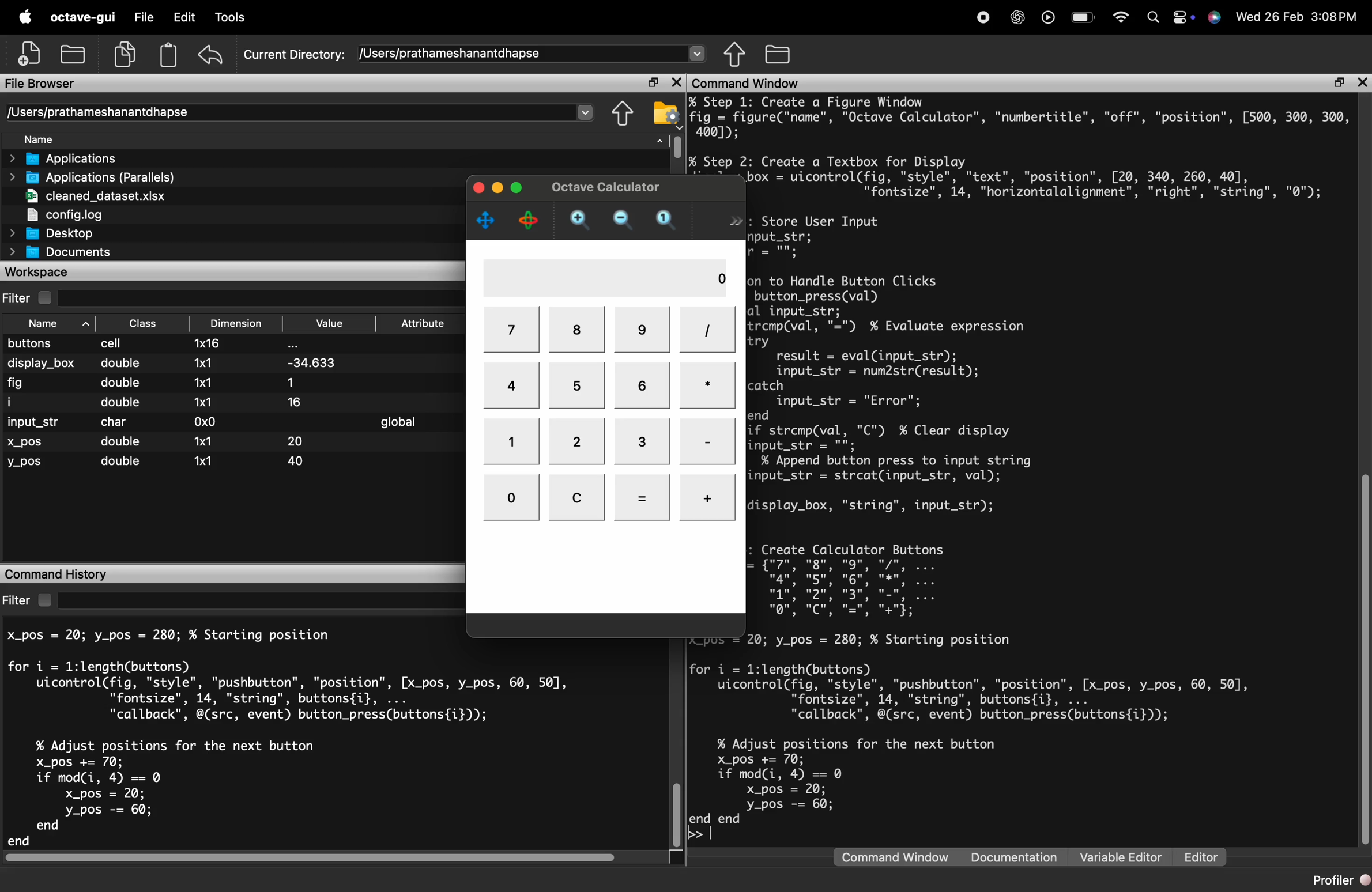 The image size is (1372, 892). I want to click on 0, so click(513, 496).